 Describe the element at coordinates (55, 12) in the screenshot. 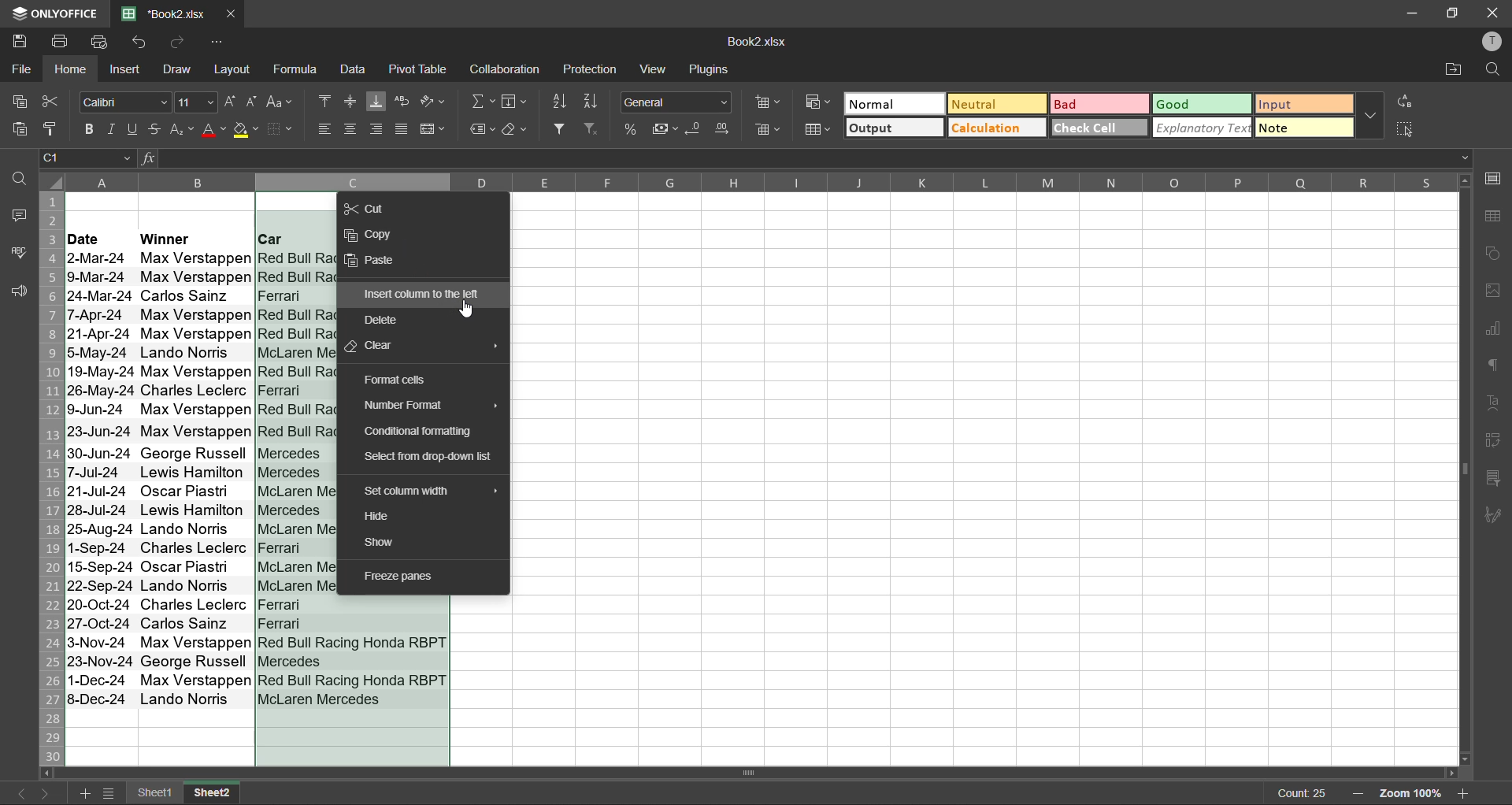

I see `ONLYOFFICE` at that location.